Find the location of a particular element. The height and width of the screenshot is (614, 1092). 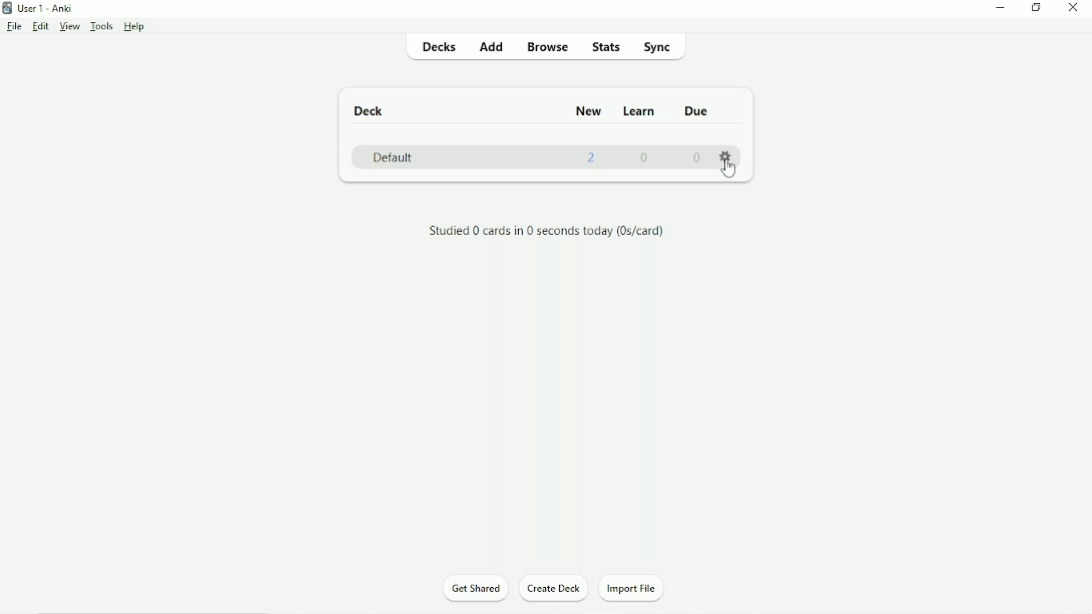

0 is located at coordinates (646, 158).